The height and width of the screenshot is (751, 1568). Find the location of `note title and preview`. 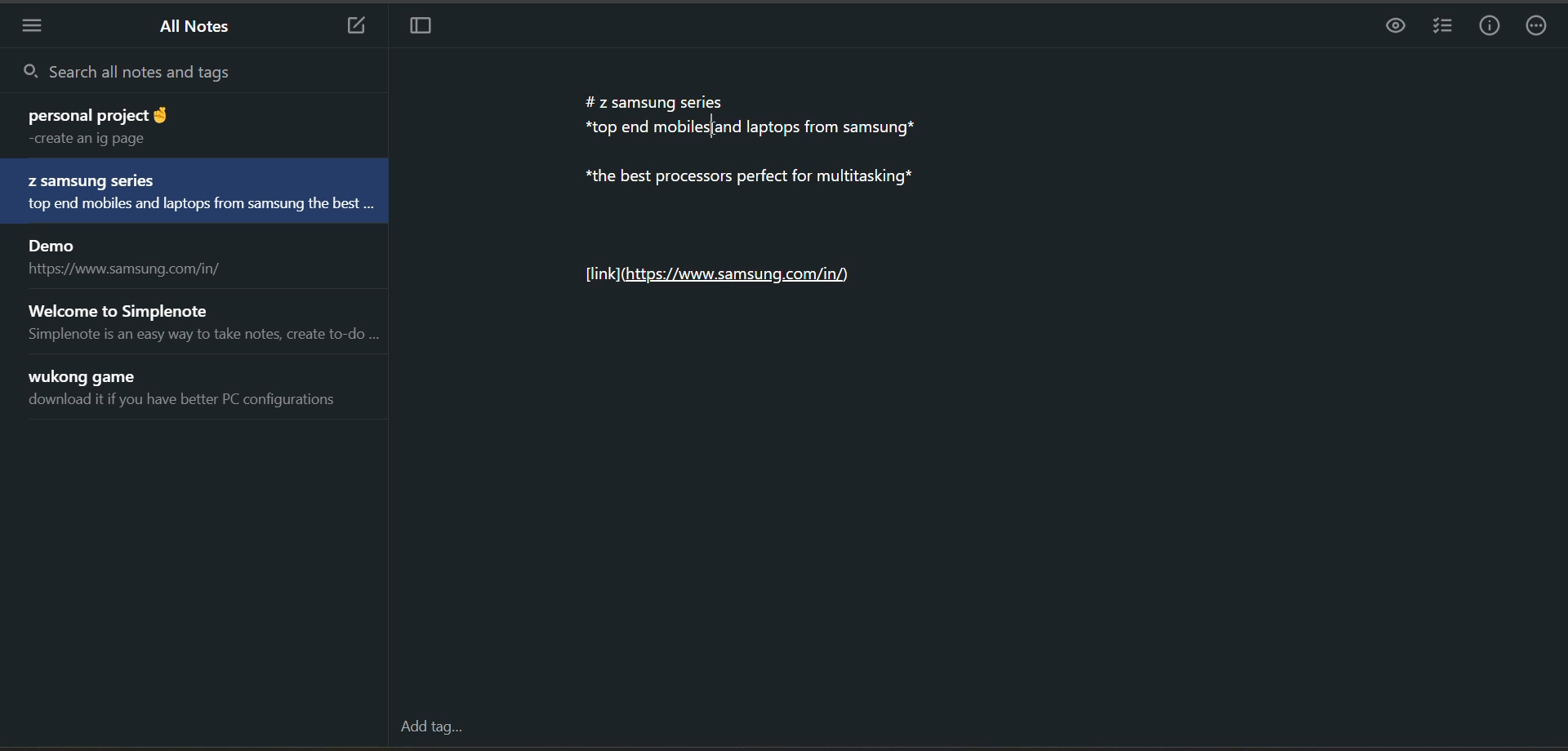

note title and preview is located at coordinates (176, 125).